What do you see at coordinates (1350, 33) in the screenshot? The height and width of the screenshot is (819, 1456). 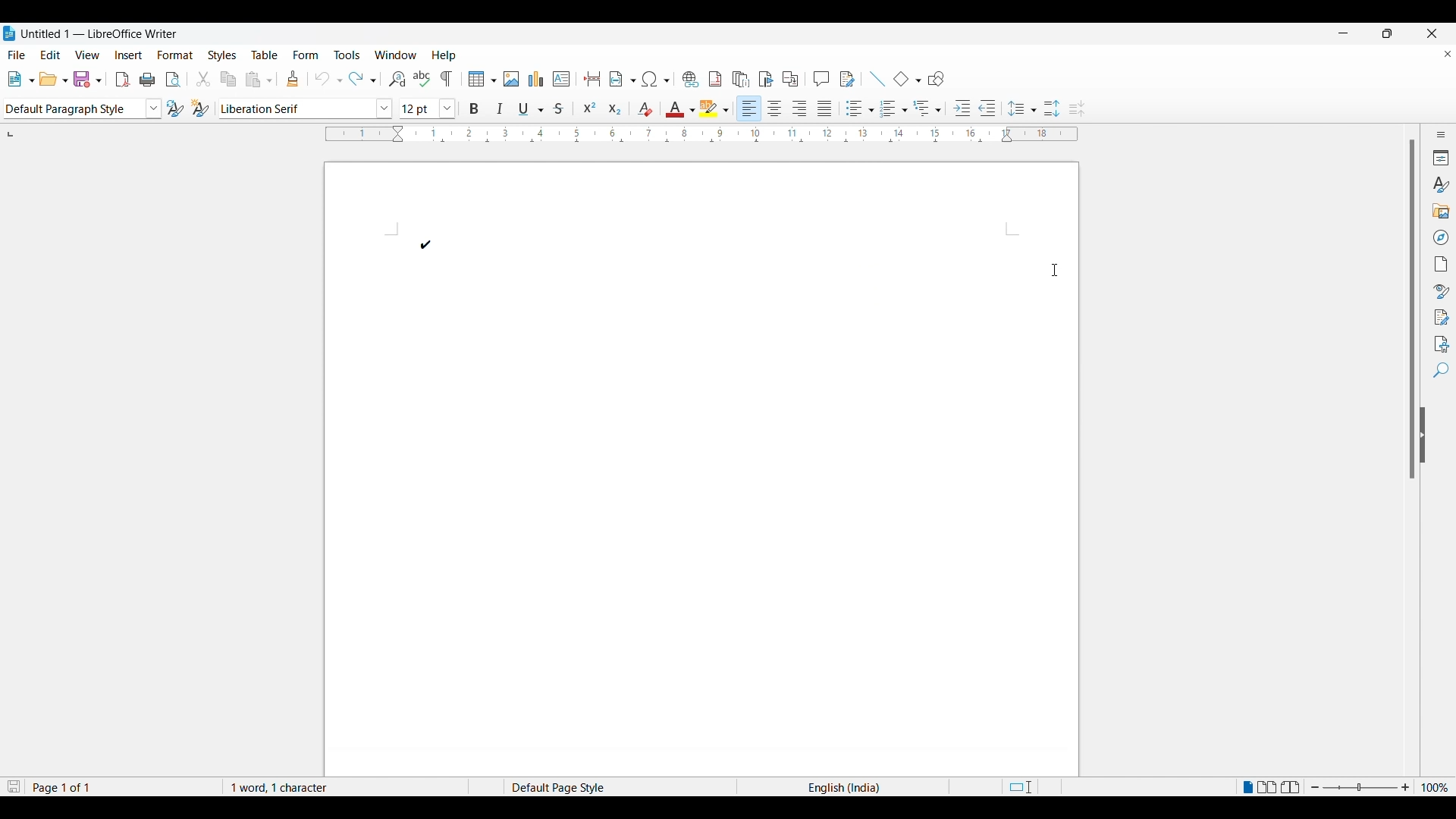 I see `minimise` at bounding box center [1350, 33].